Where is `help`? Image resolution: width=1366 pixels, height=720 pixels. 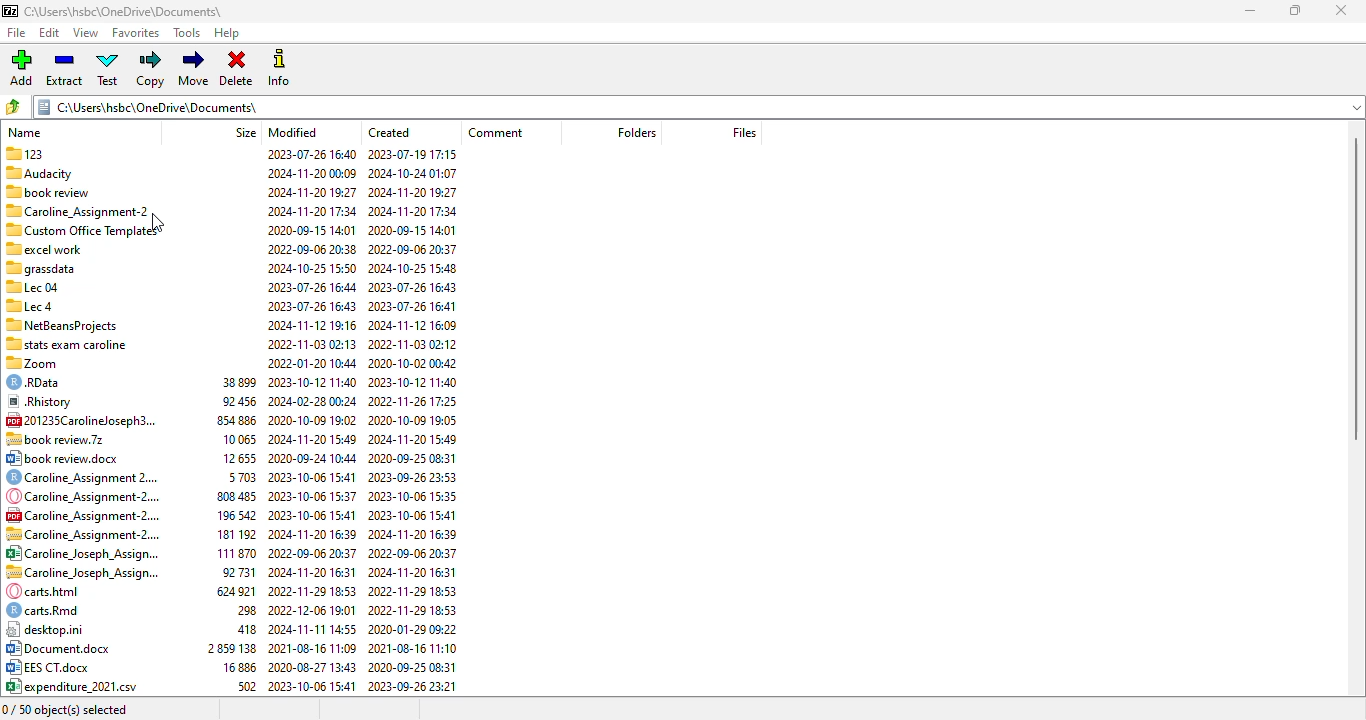
help is located at coordinates (225, 33).